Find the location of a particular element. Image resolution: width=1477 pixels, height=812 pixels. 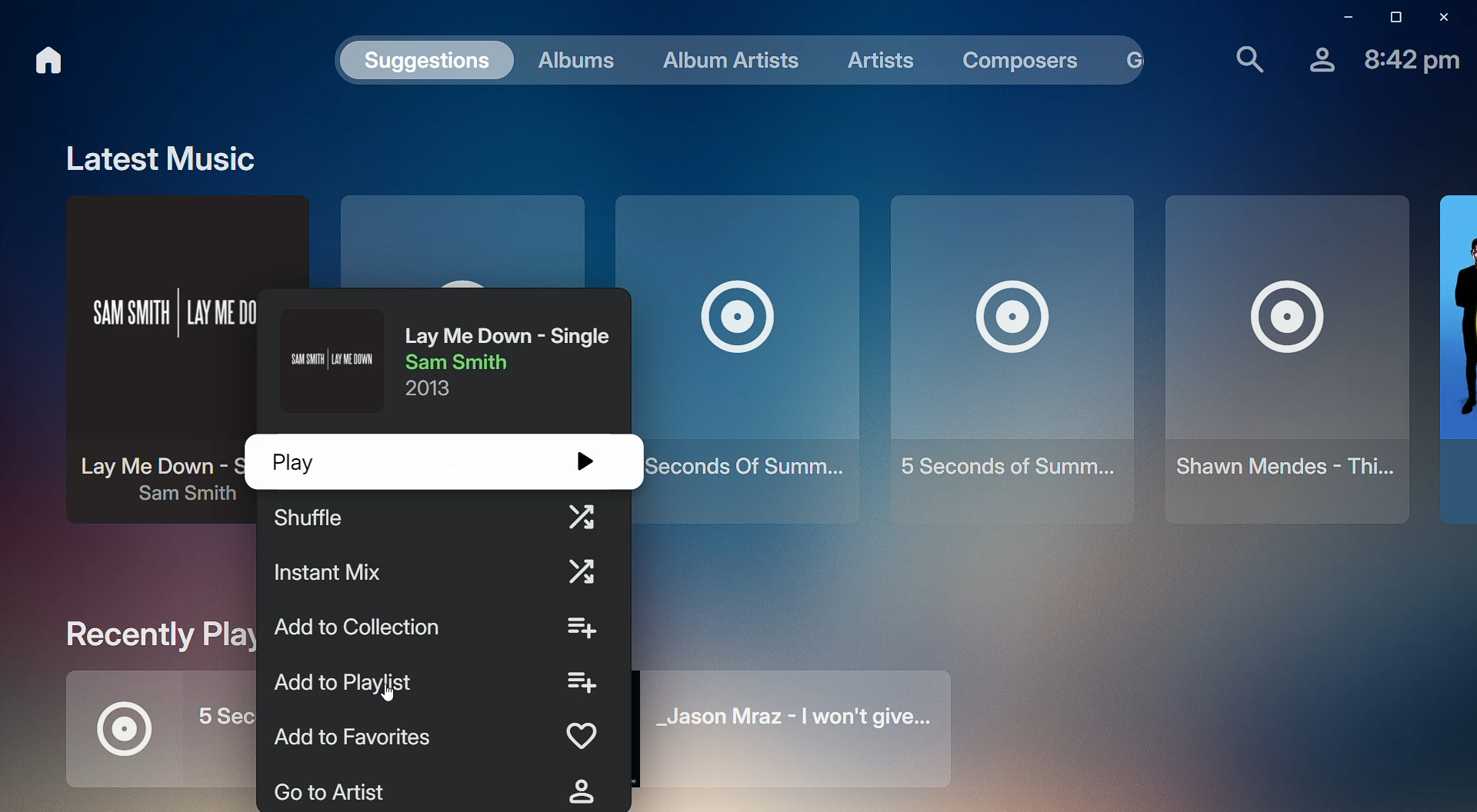

Play is located at coordinates (443, 463).